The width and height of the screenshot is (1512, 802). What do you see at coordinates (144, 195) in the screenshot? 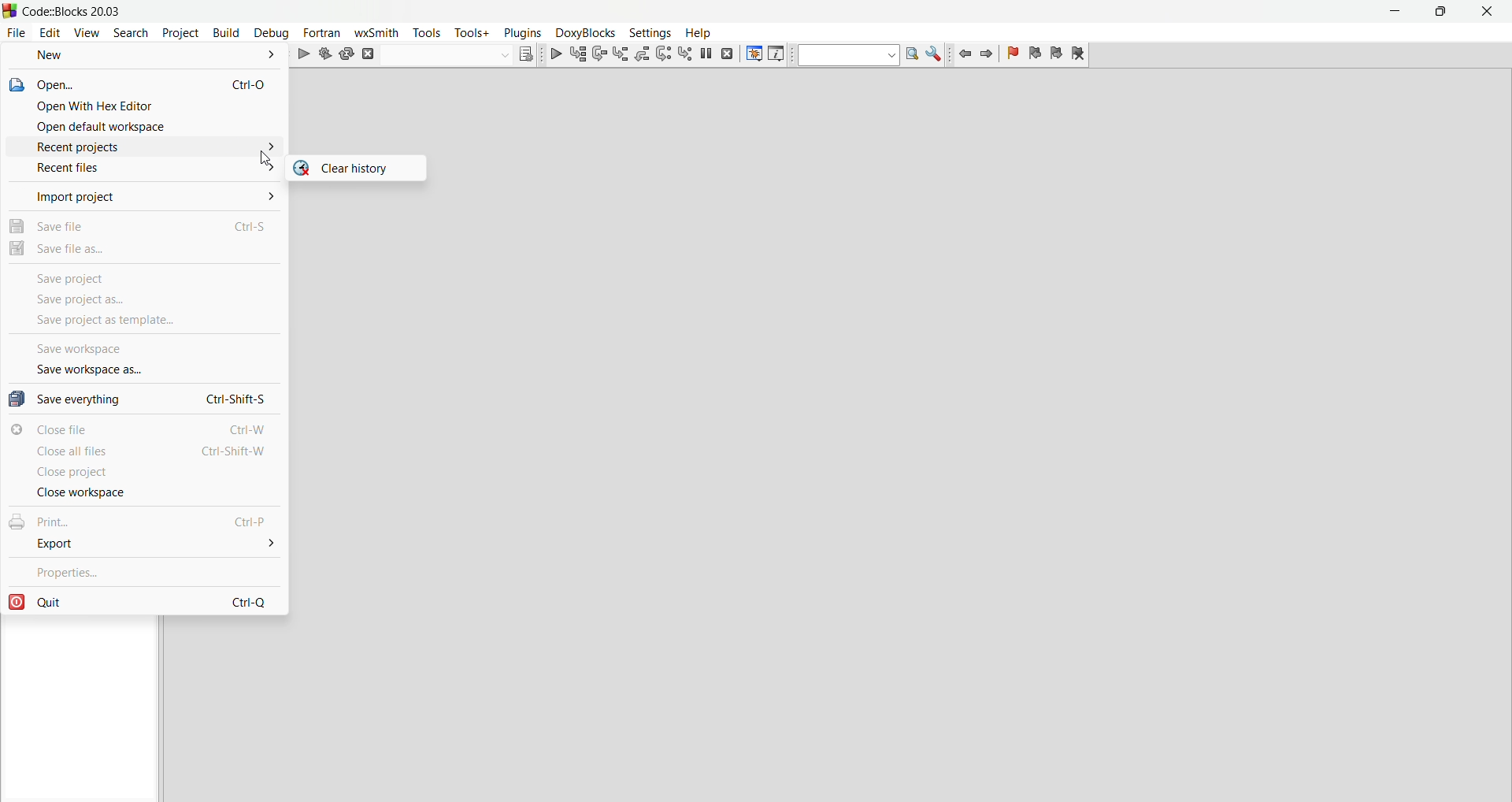
I see `import project` at bounding box center [144, 195].